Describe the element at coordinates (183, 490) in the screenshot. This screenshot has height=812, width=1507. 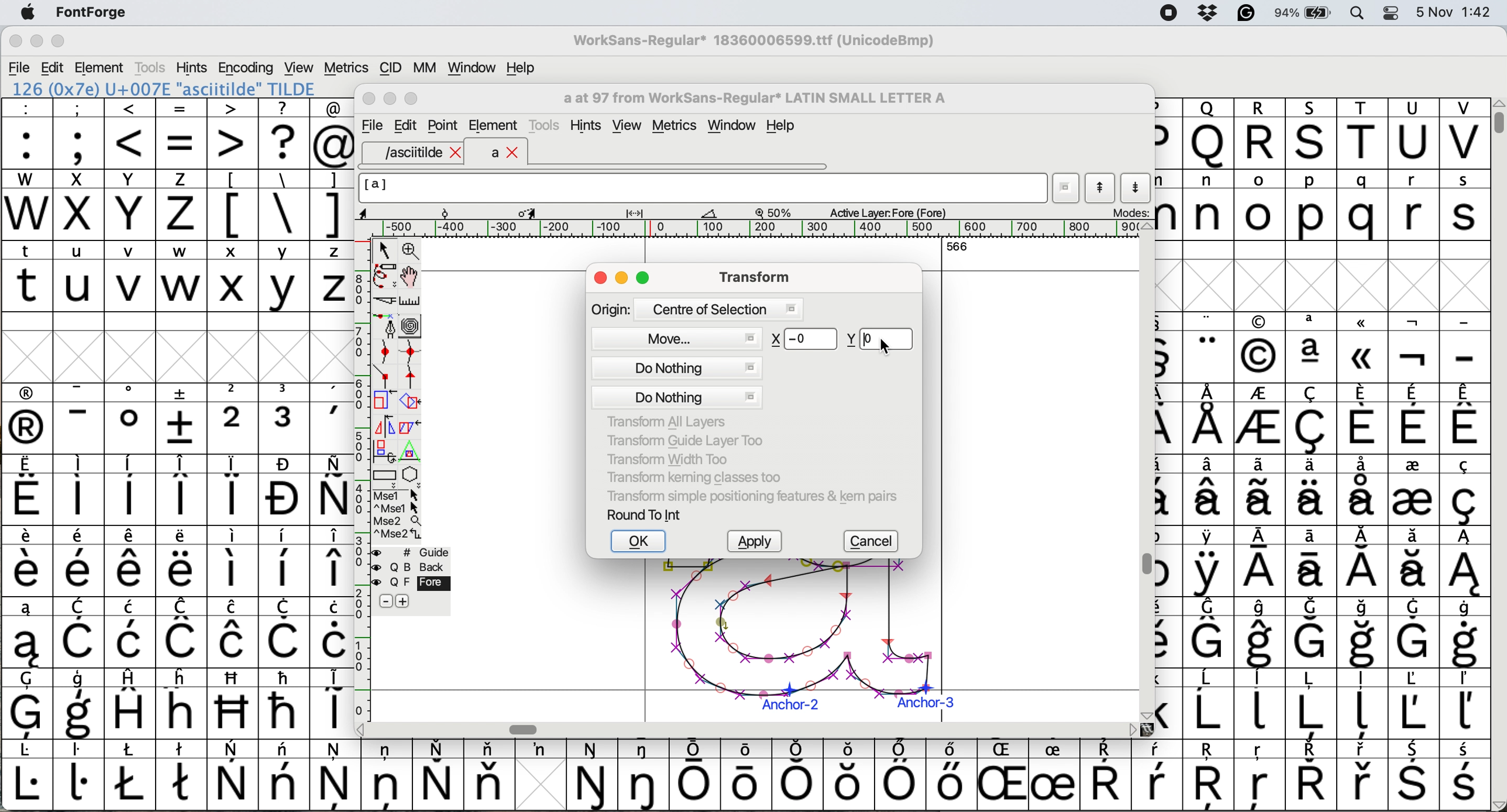
I see `symbol` at that location.